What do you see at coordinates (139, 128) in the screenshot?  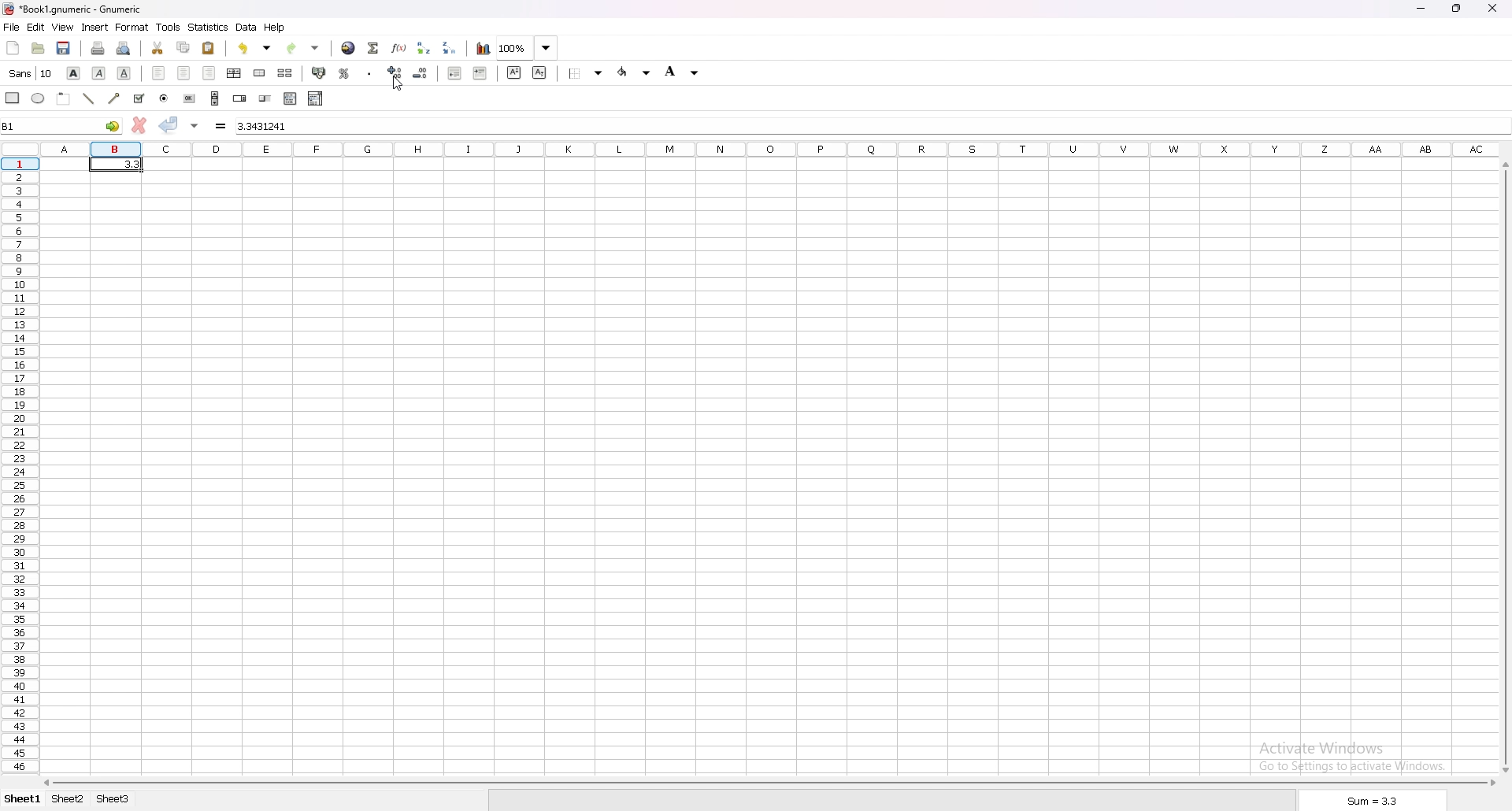 I see `cancel changes` at bounding box center [139, 128].